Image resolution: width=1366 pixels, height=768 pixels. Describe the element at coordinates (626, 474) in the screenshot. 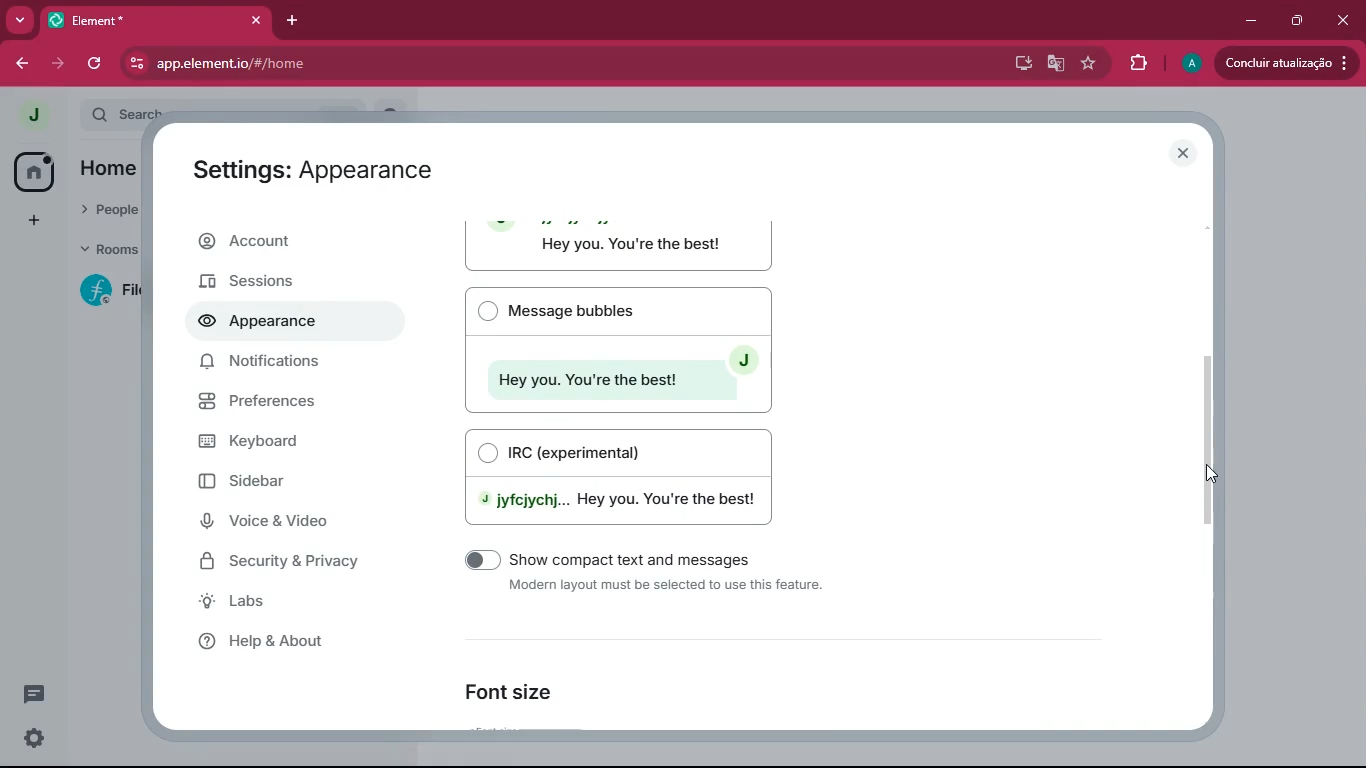

I see `IRC` at that location.